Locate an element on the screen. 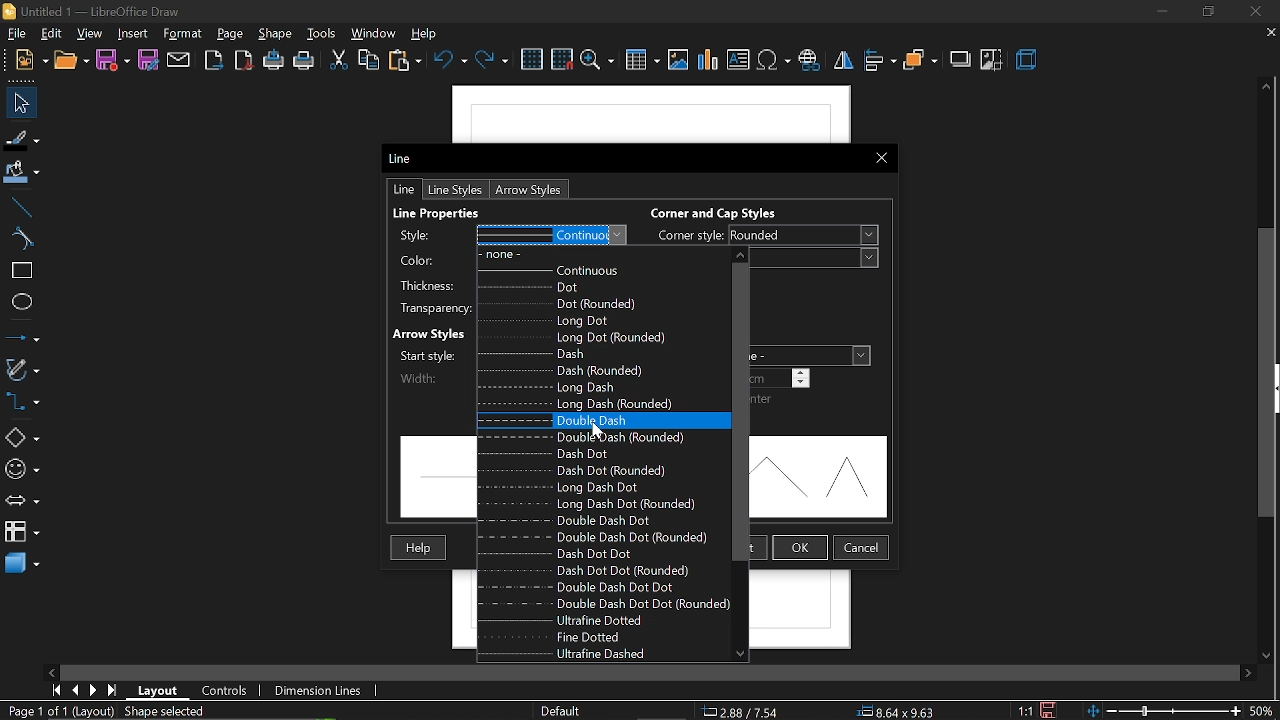  transparency is located at coordinates (430, 308).